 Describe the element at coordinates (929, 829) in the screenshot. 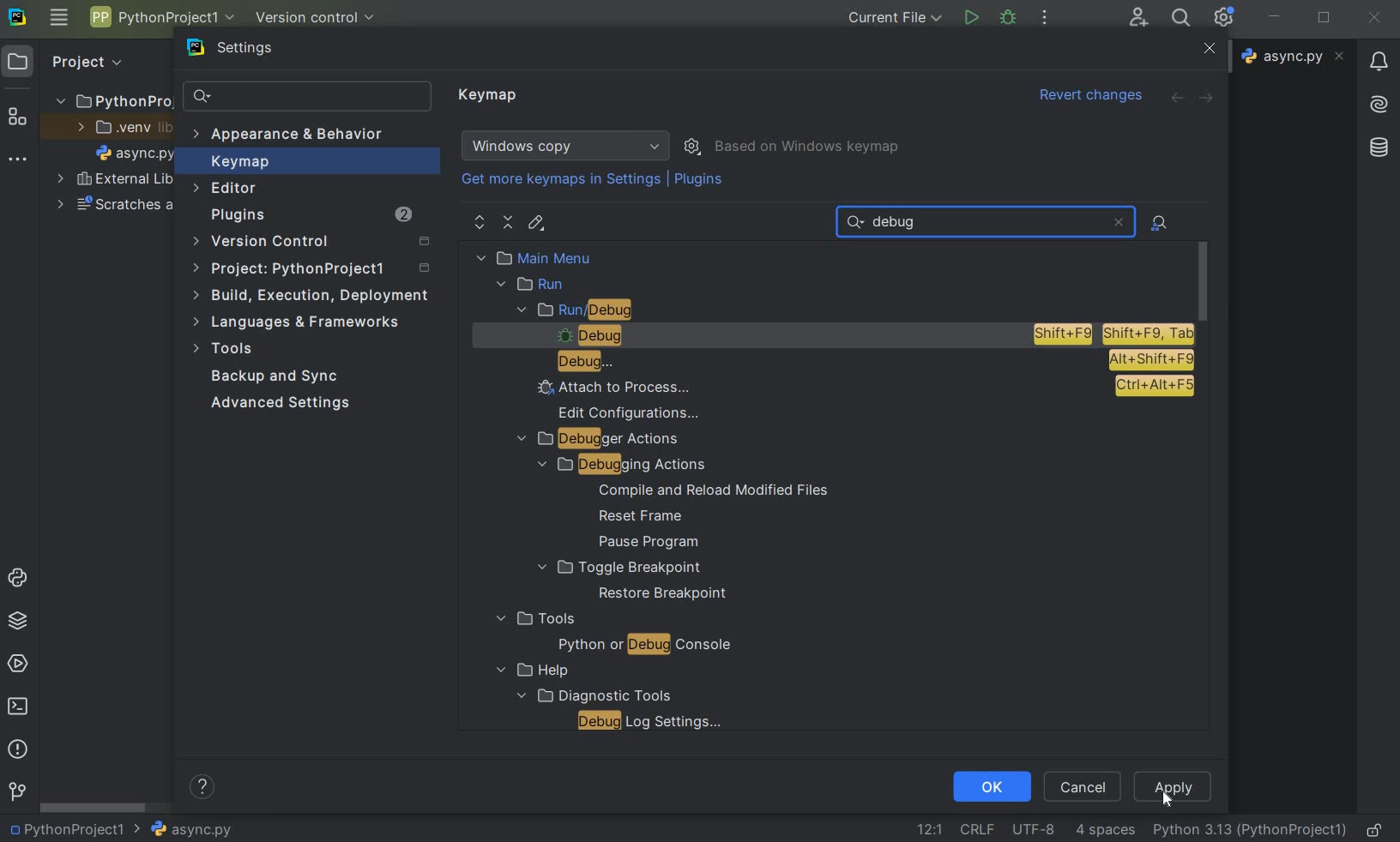

I see `go to line` at that location.